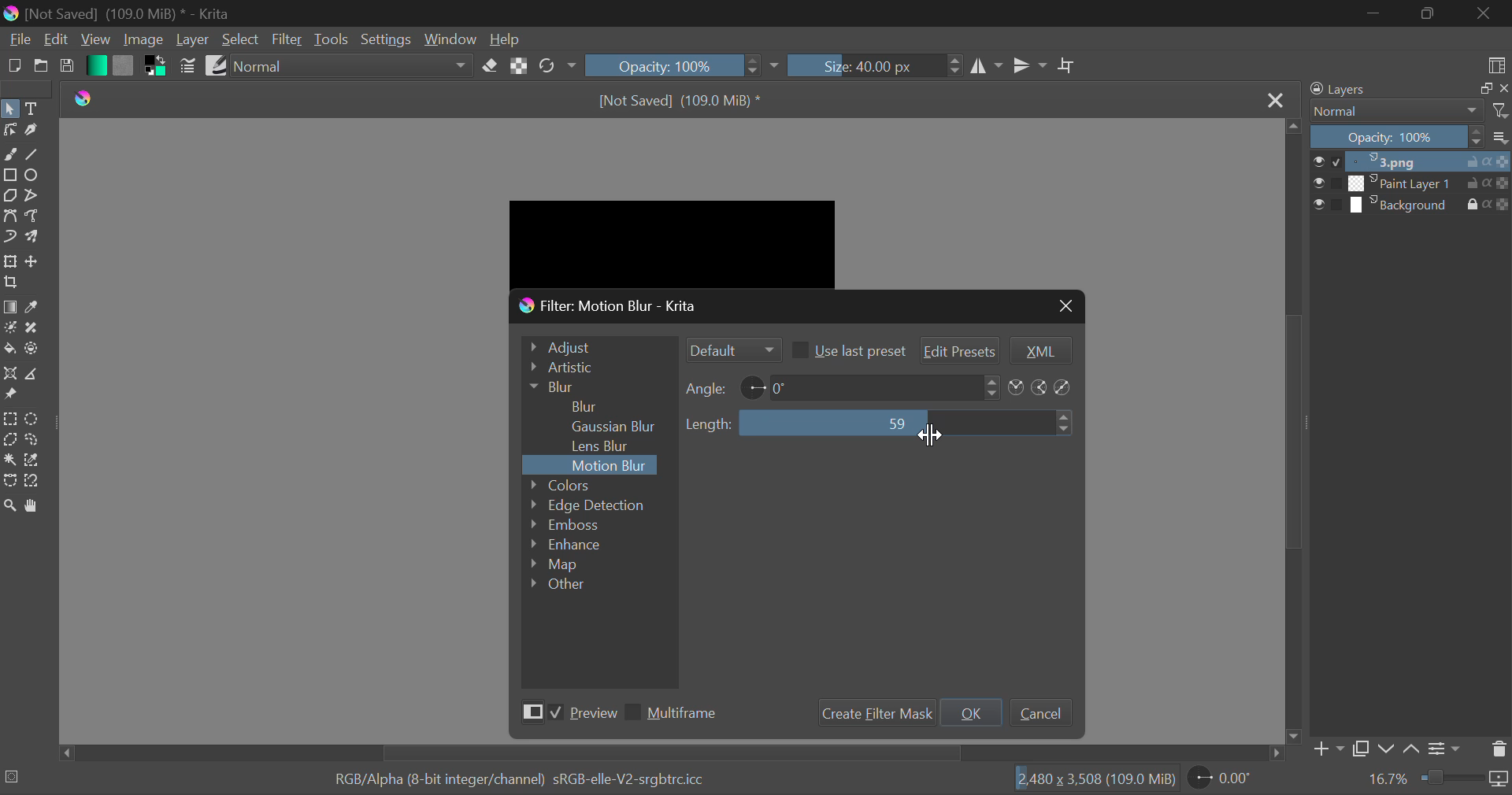 This screenshot has height=795, width=1512. I want to click on Move Layer Up, so click(1413, 746).